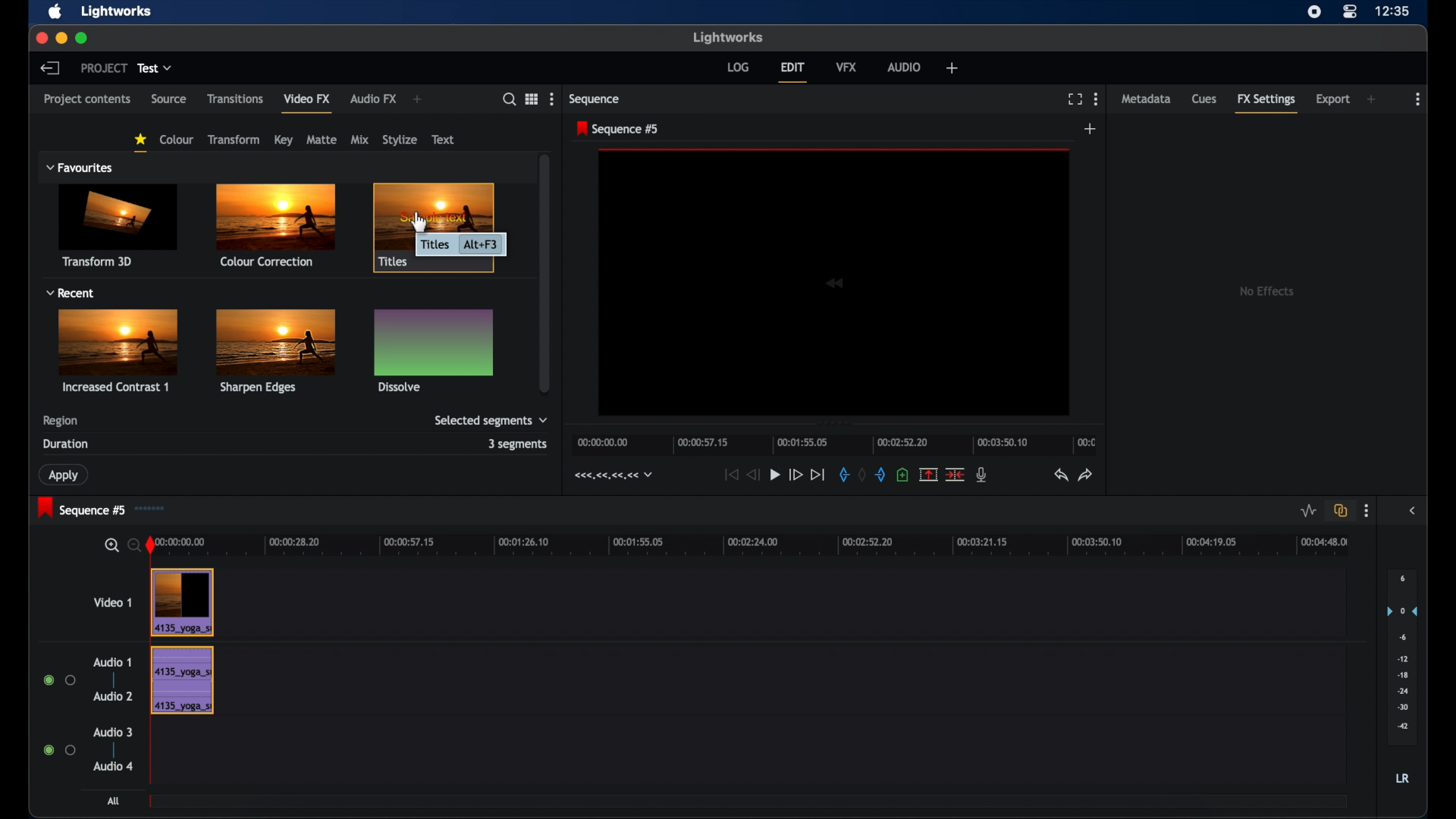 The image size is (1456, 819). What do you see at coordinates (1087, 475) in the screenshot?
I see `redo` at bounding box center [1087, 475].